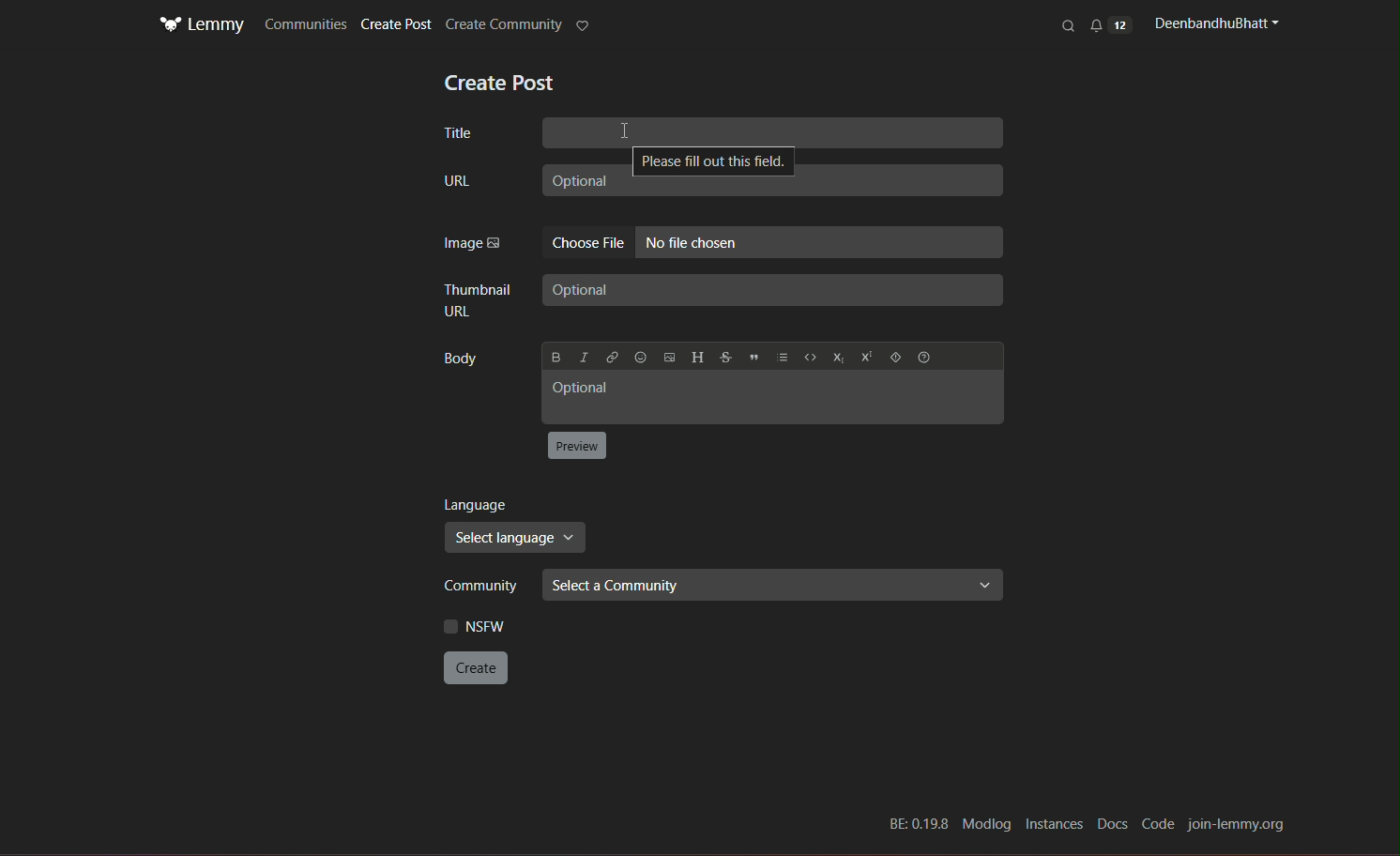 The width and height of the screenshot is (1400, 856). I want to click on Code, so click(1159, 824).